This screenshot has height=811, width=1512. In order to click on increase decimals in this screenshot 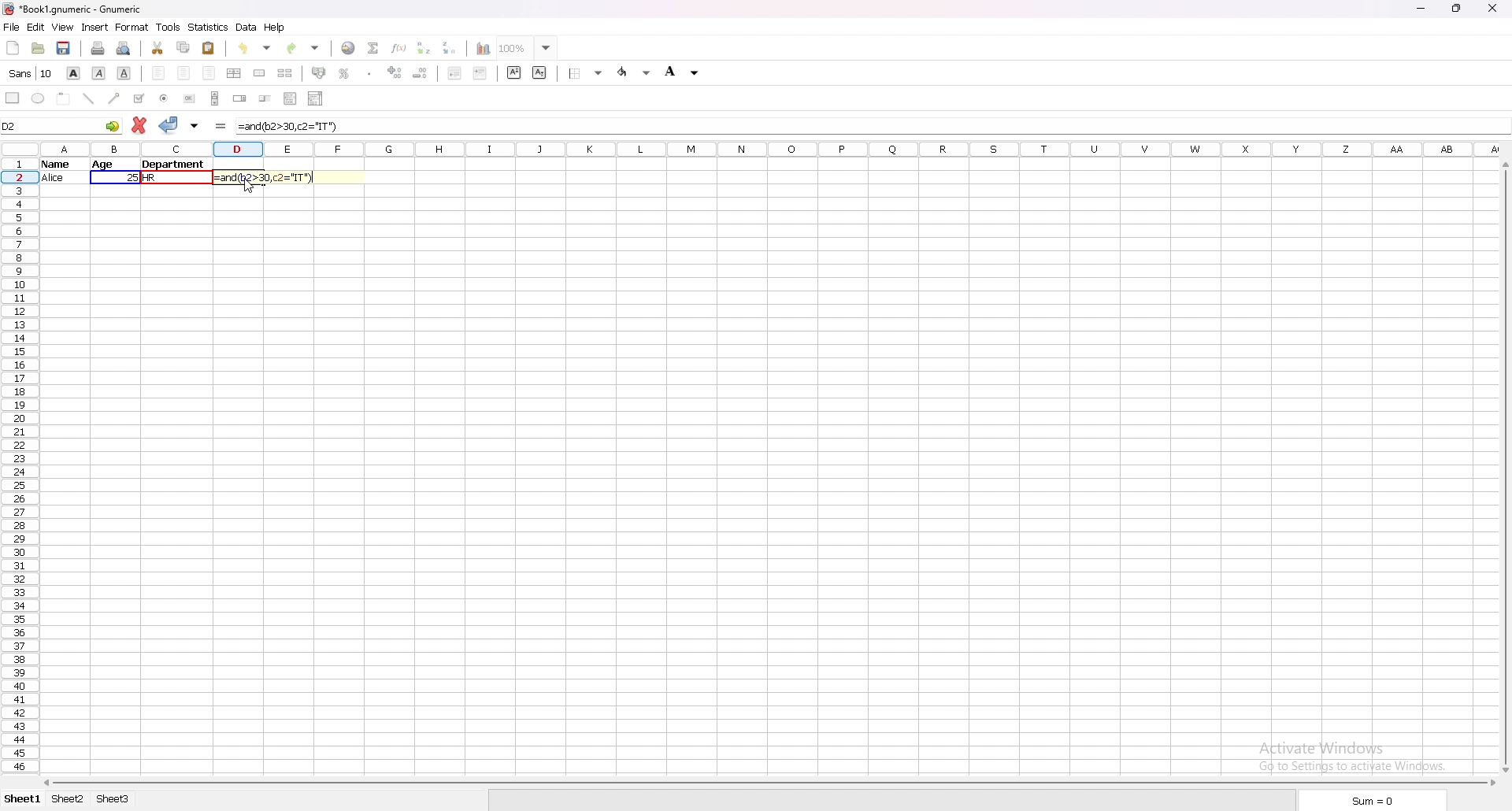, I will do `click(396, 72)`.